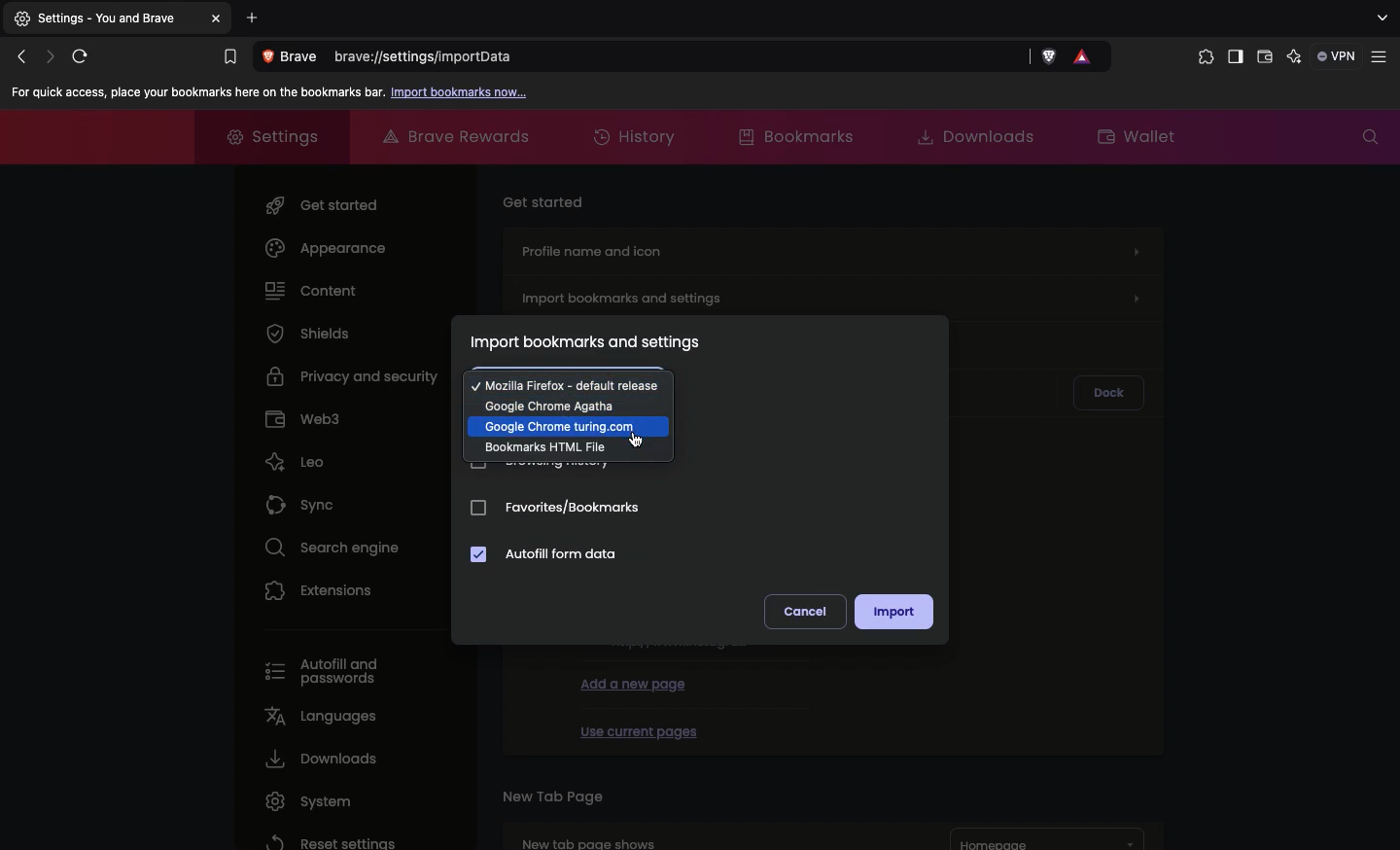 The image size is (1400, 850). I want to click on System, so click(303, 801).